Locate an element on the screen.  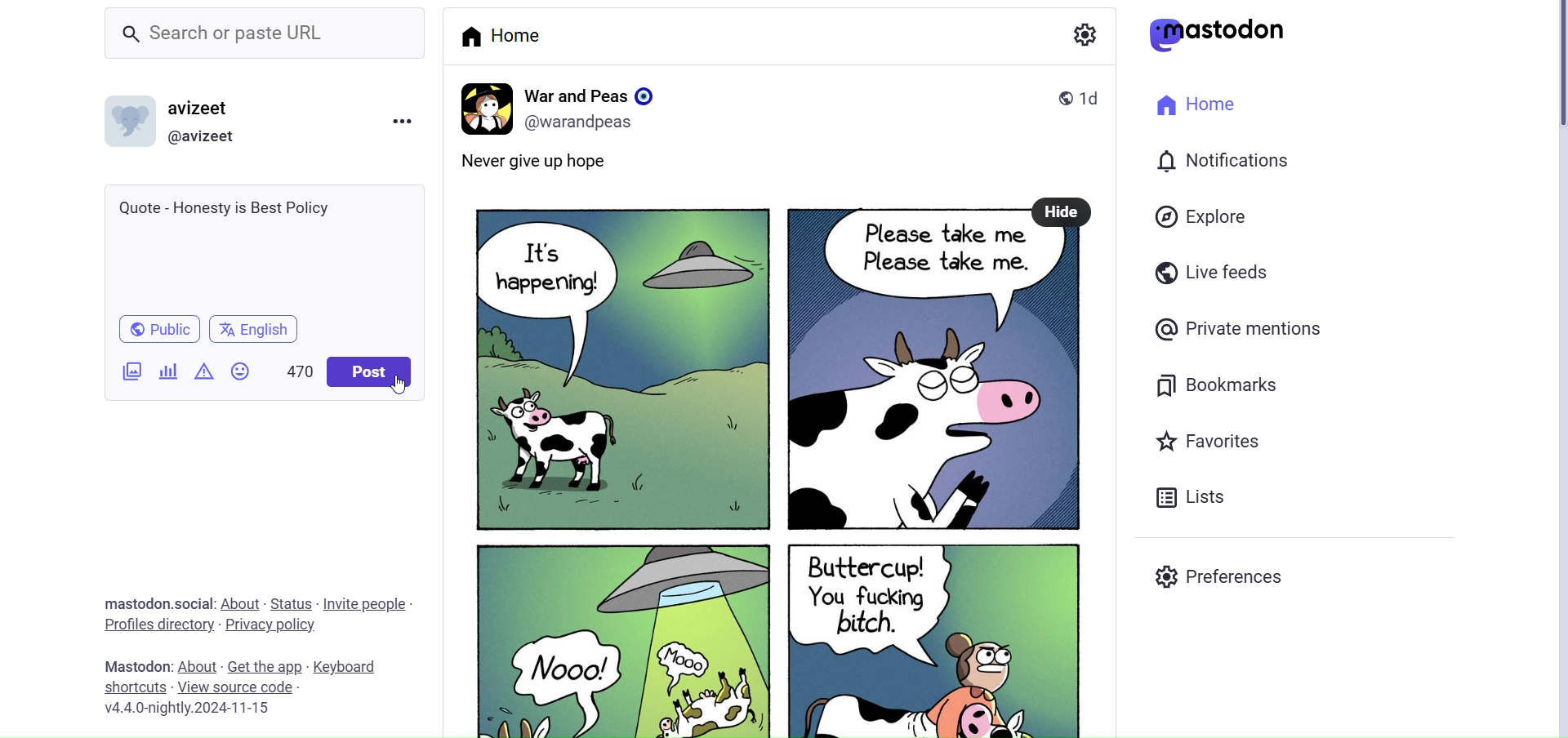
Setting is located at coordinates (1082, 35).